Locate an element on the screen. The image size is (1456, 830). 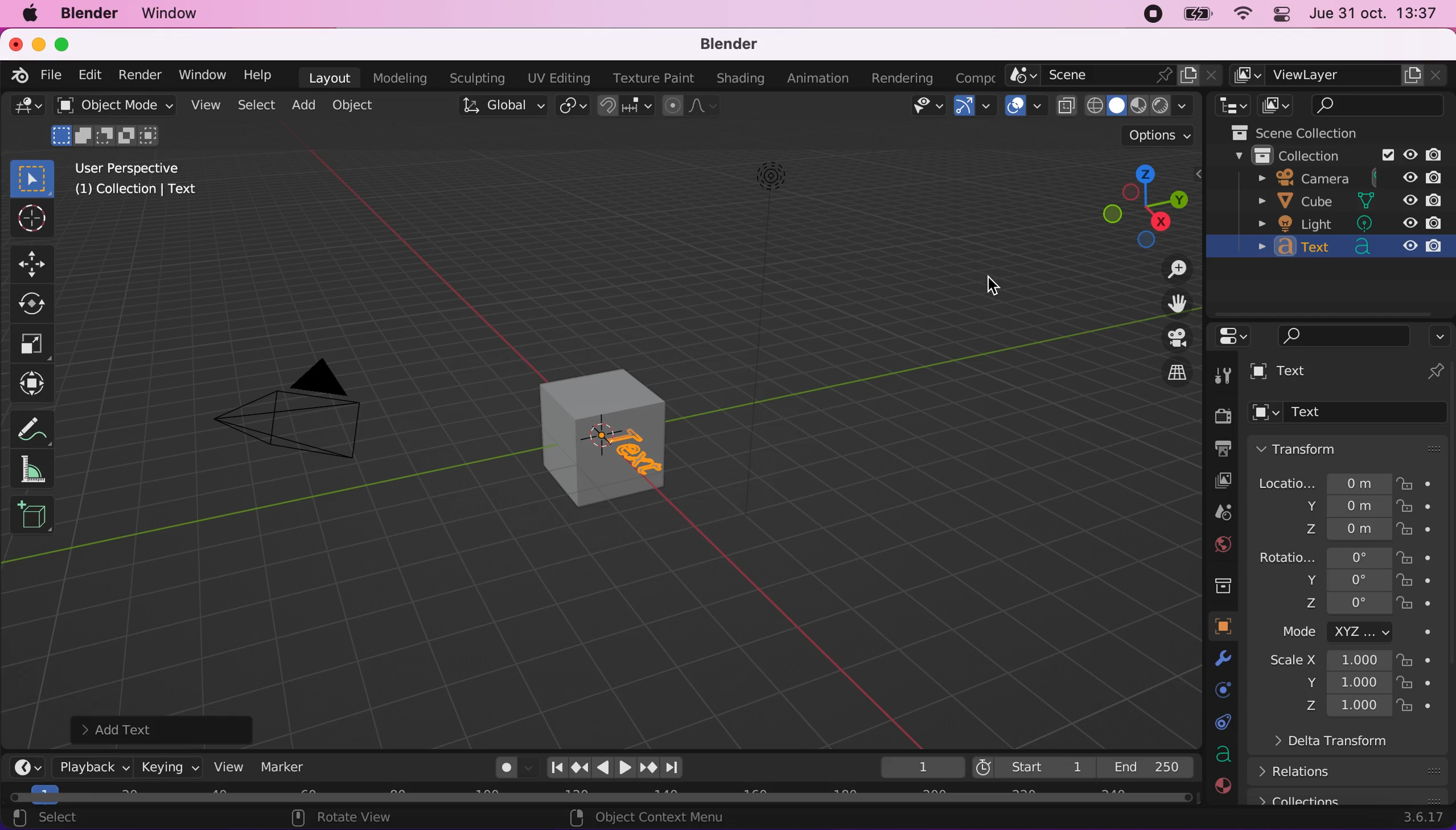
lock button is located at coordinates (1416, 661).